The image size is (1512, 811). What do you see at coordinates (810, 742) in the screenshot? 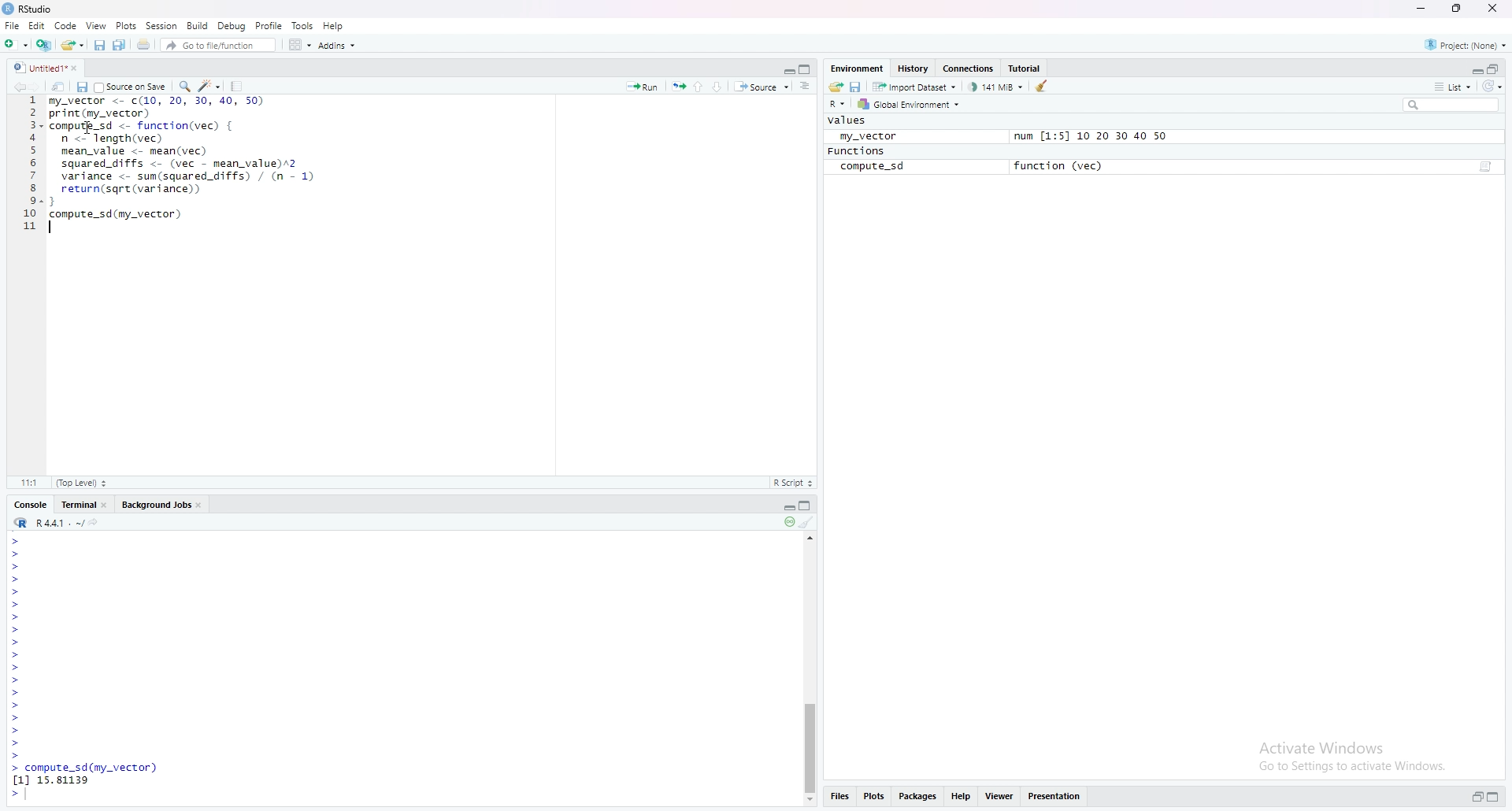
I see `Scrollbar` at bounding box center [810, 742].